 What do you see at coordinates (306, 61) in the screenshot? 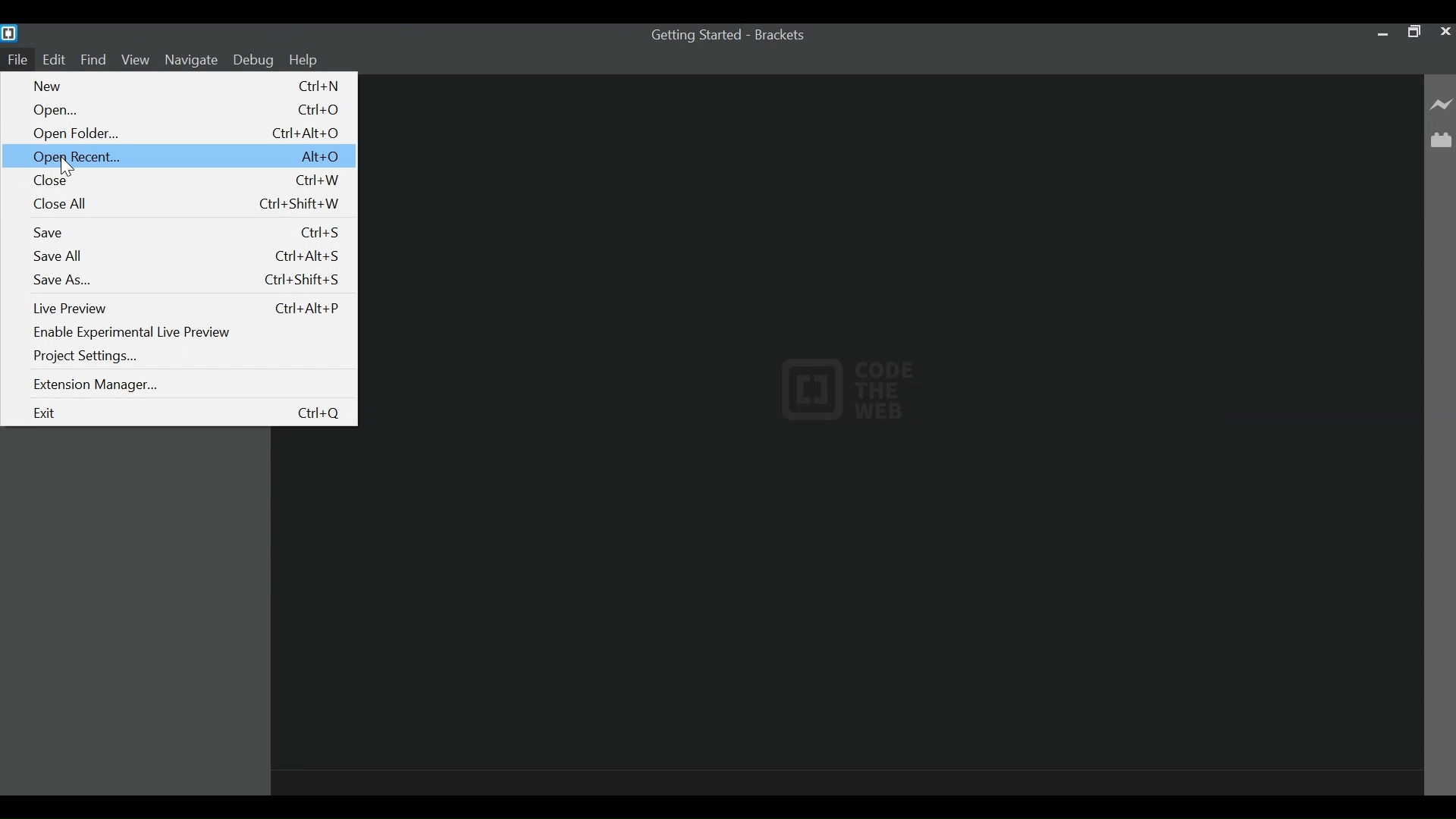
I see `Help` at bounding box center [306, 61].